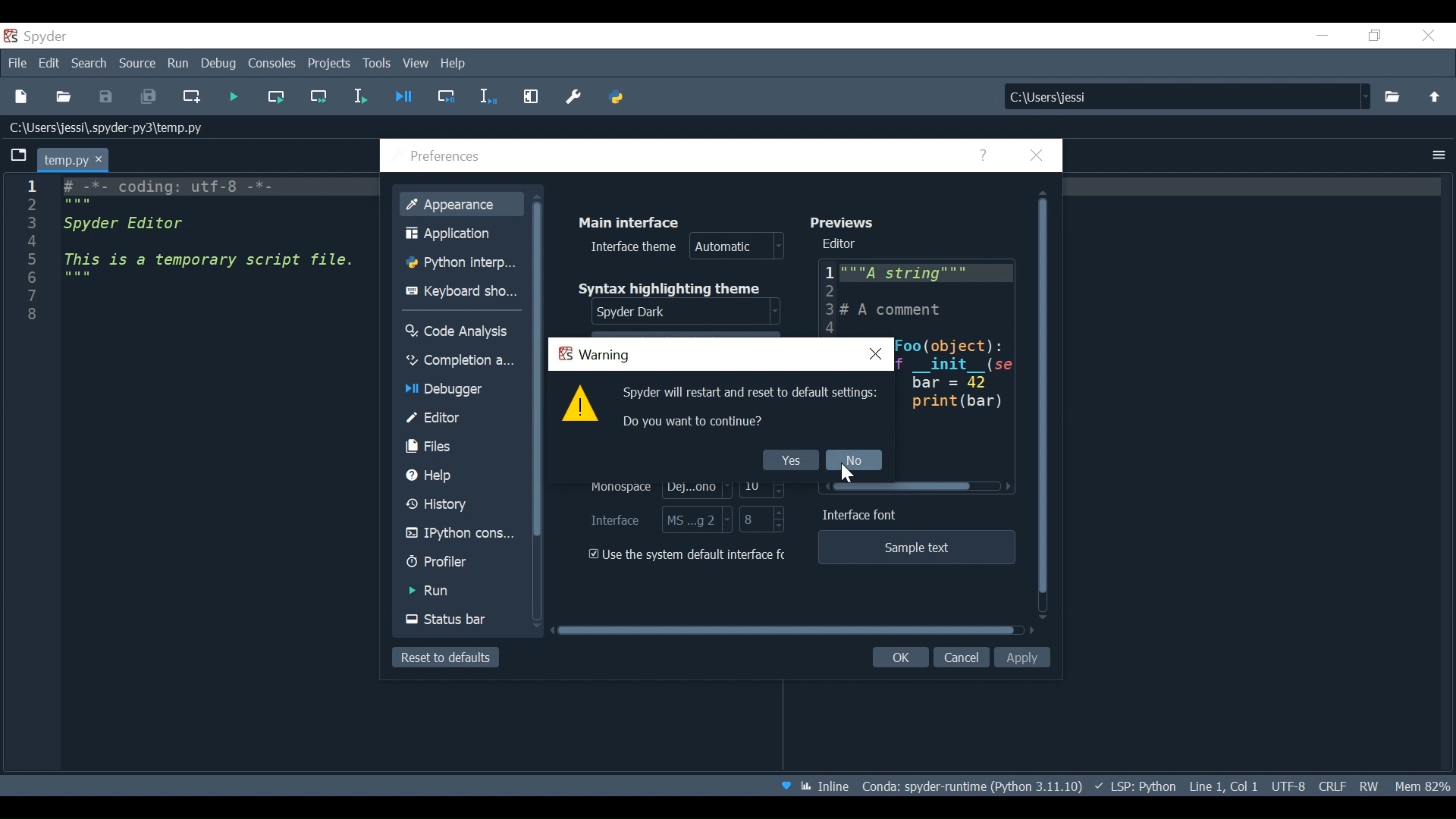 The image size is (1456, 819). I want to click on Help Spyder, so click(786, 786).